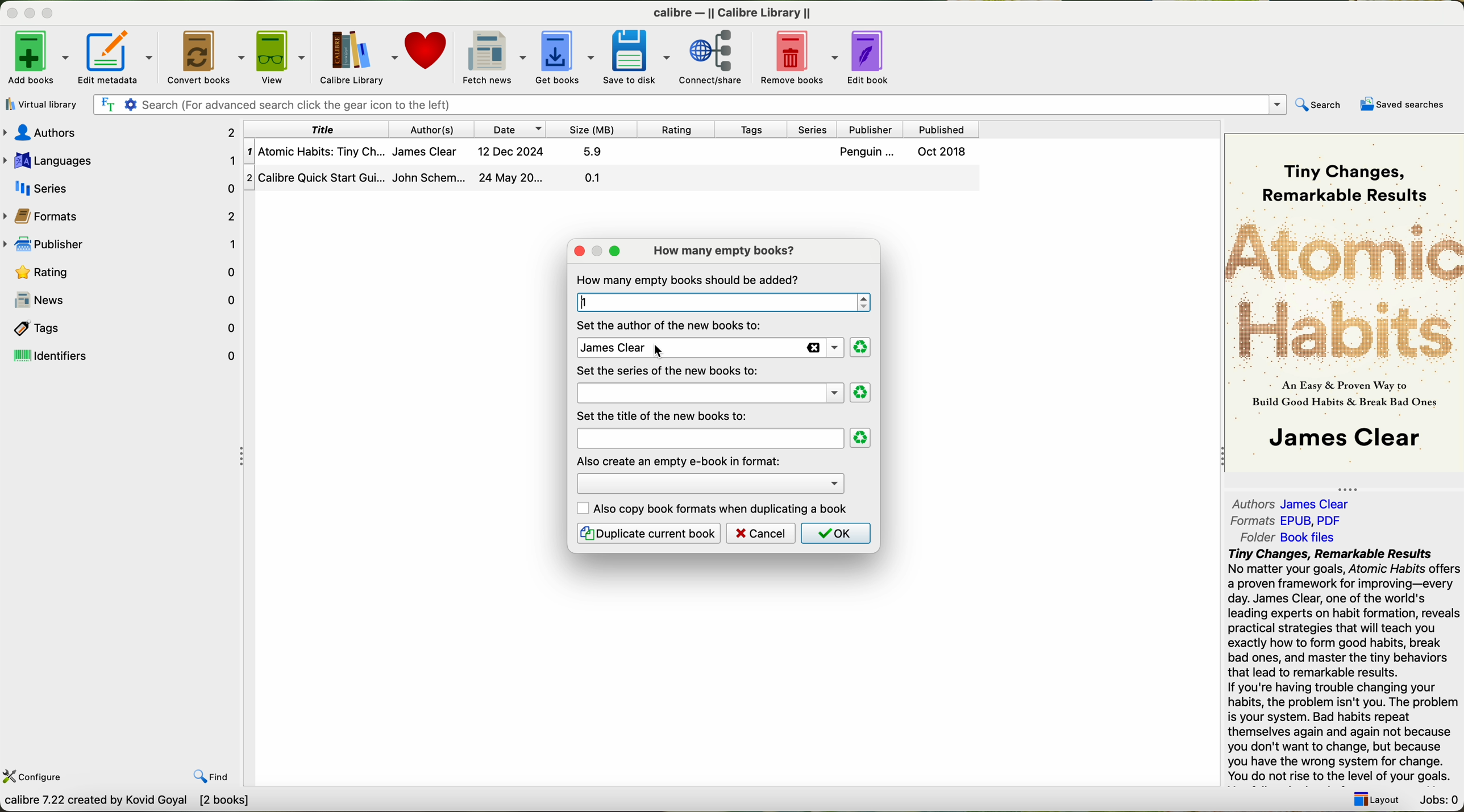  What do you see at coordinates (1437, 801) in the screenshot?
I see `Jobs: 0` at bounding box center [1437, 801].